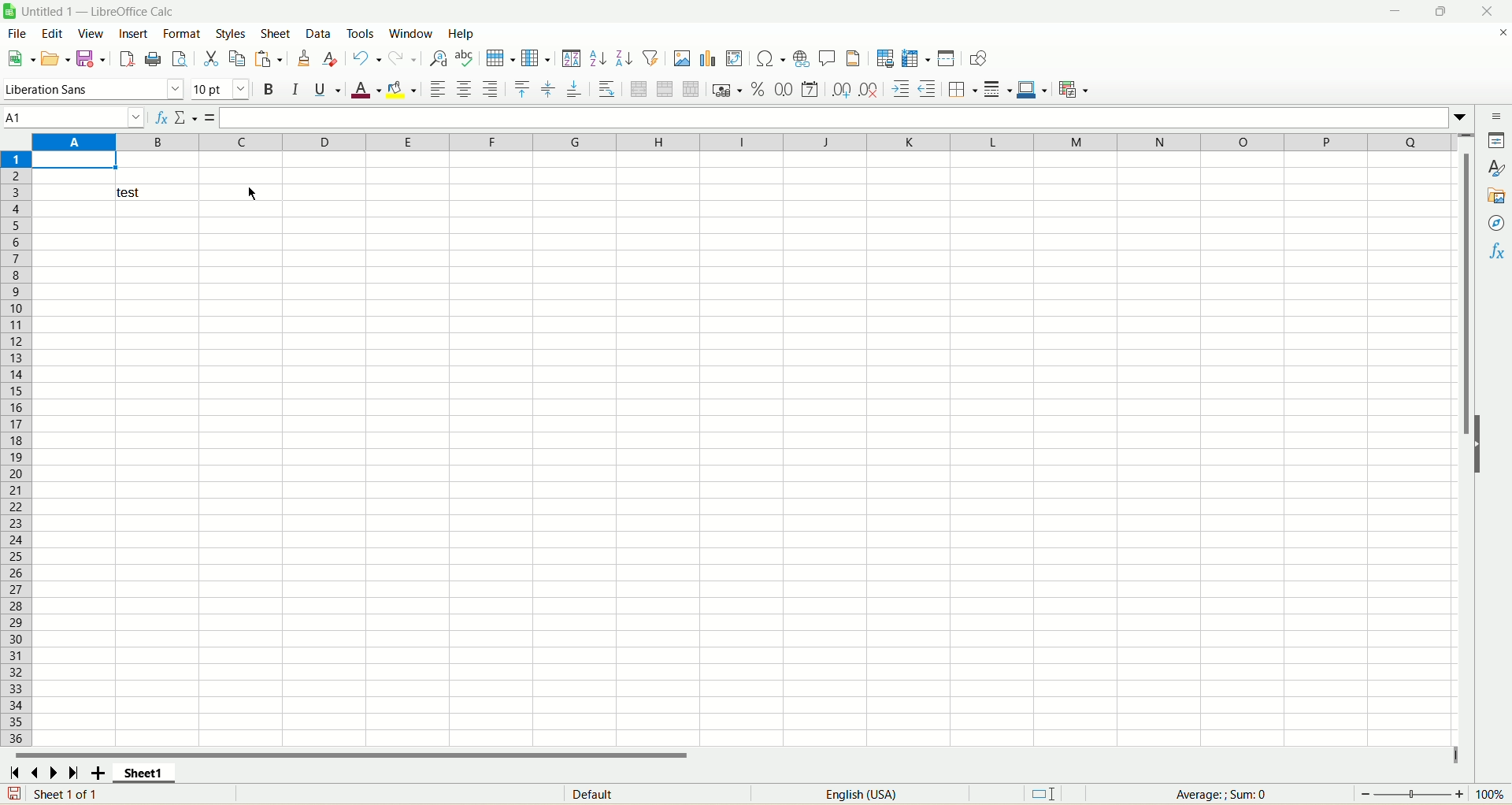 Image resolution: width=1512 pixels, height=805 pixels. What do you see at coordinates (869, 89) in the screenshot?
I see `remove decimal` at bounding box center [869, 89].